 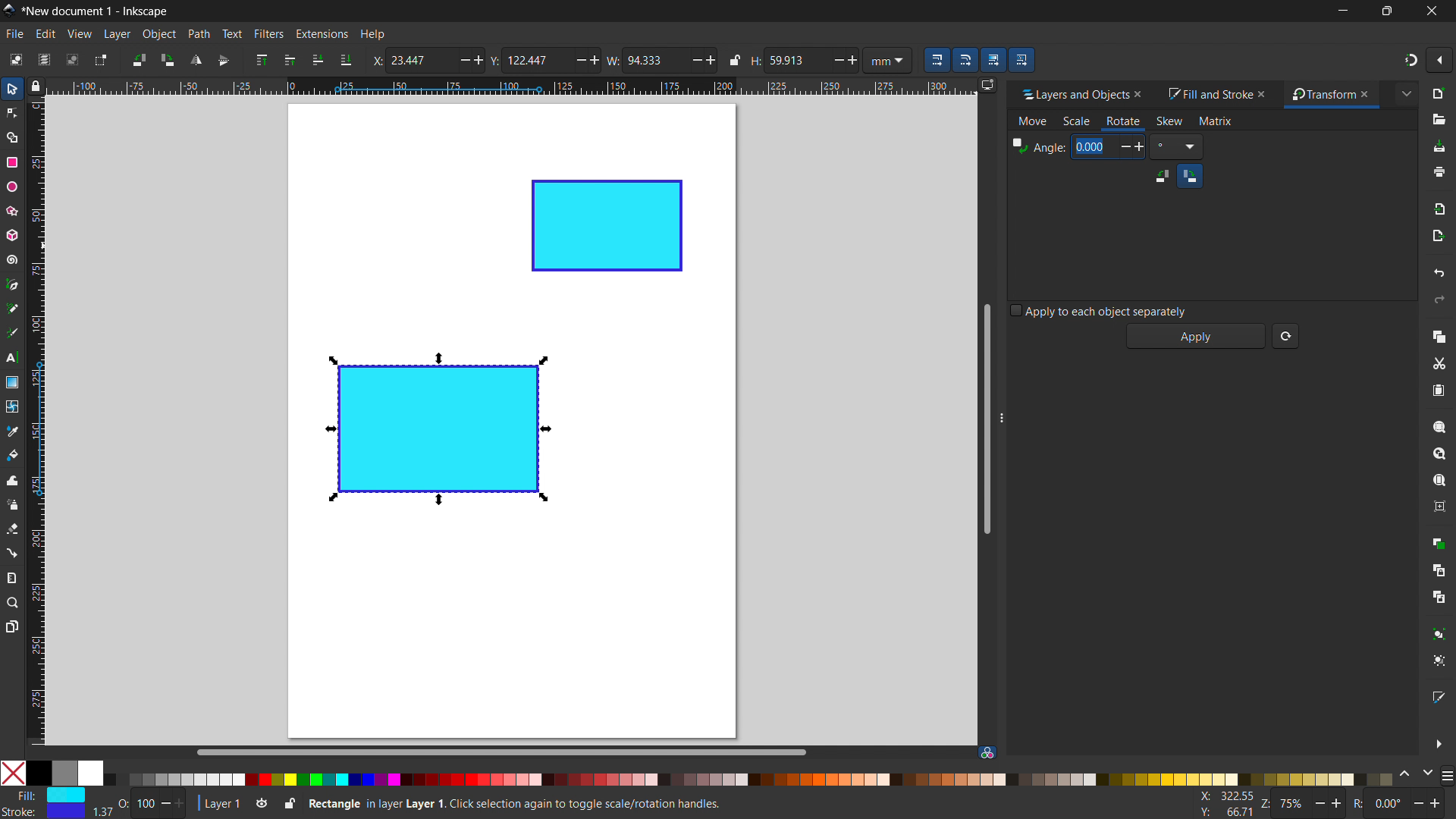 What do you see at coordinates (43, 59) in the screenshot?
I see `select all in all layers` at bounding box center [43, 59].